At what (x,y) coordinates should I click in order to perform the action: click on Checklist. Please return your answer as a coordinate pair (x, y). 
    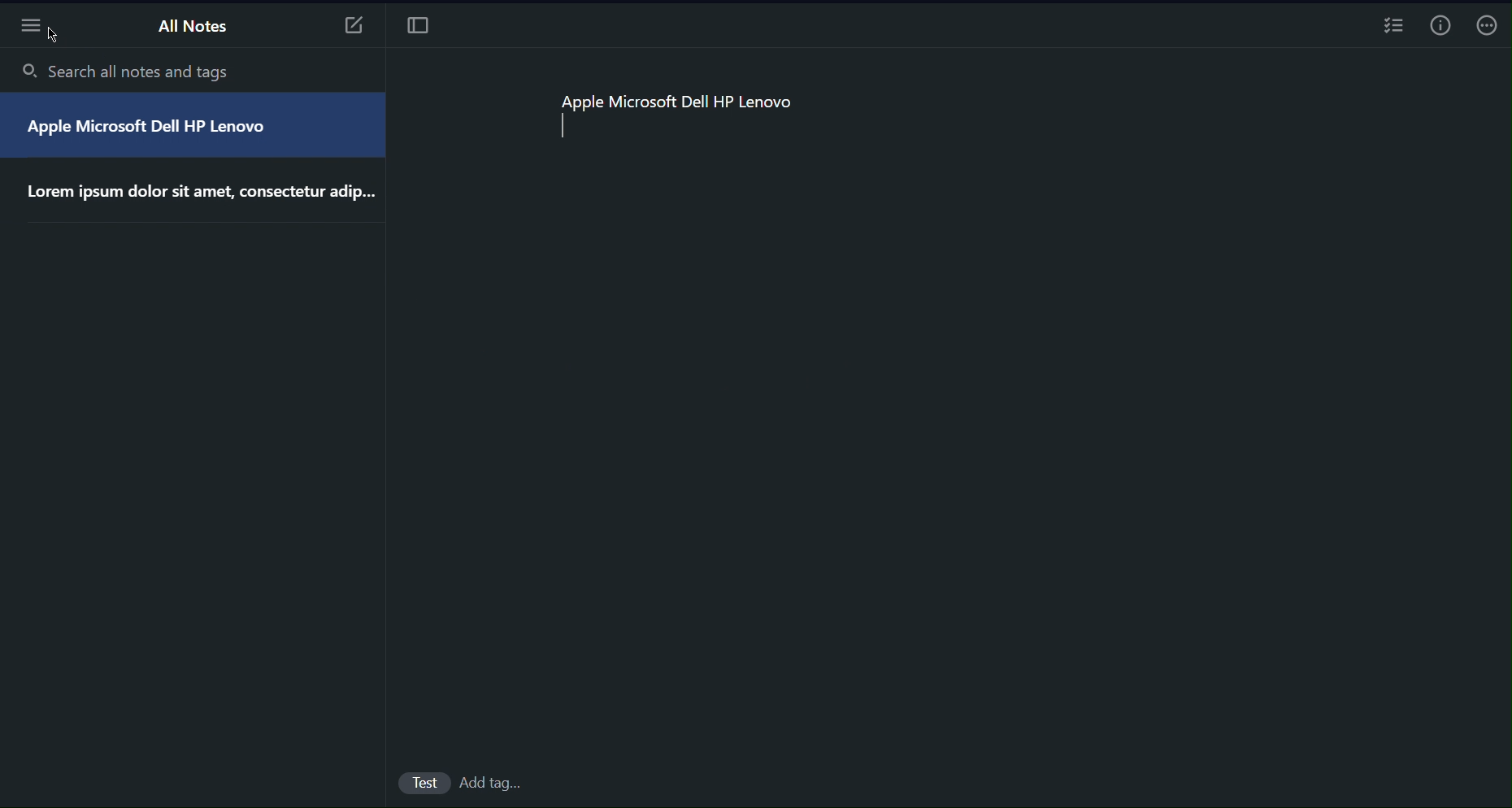
    Looking at the image, I should click on (1393, 24).